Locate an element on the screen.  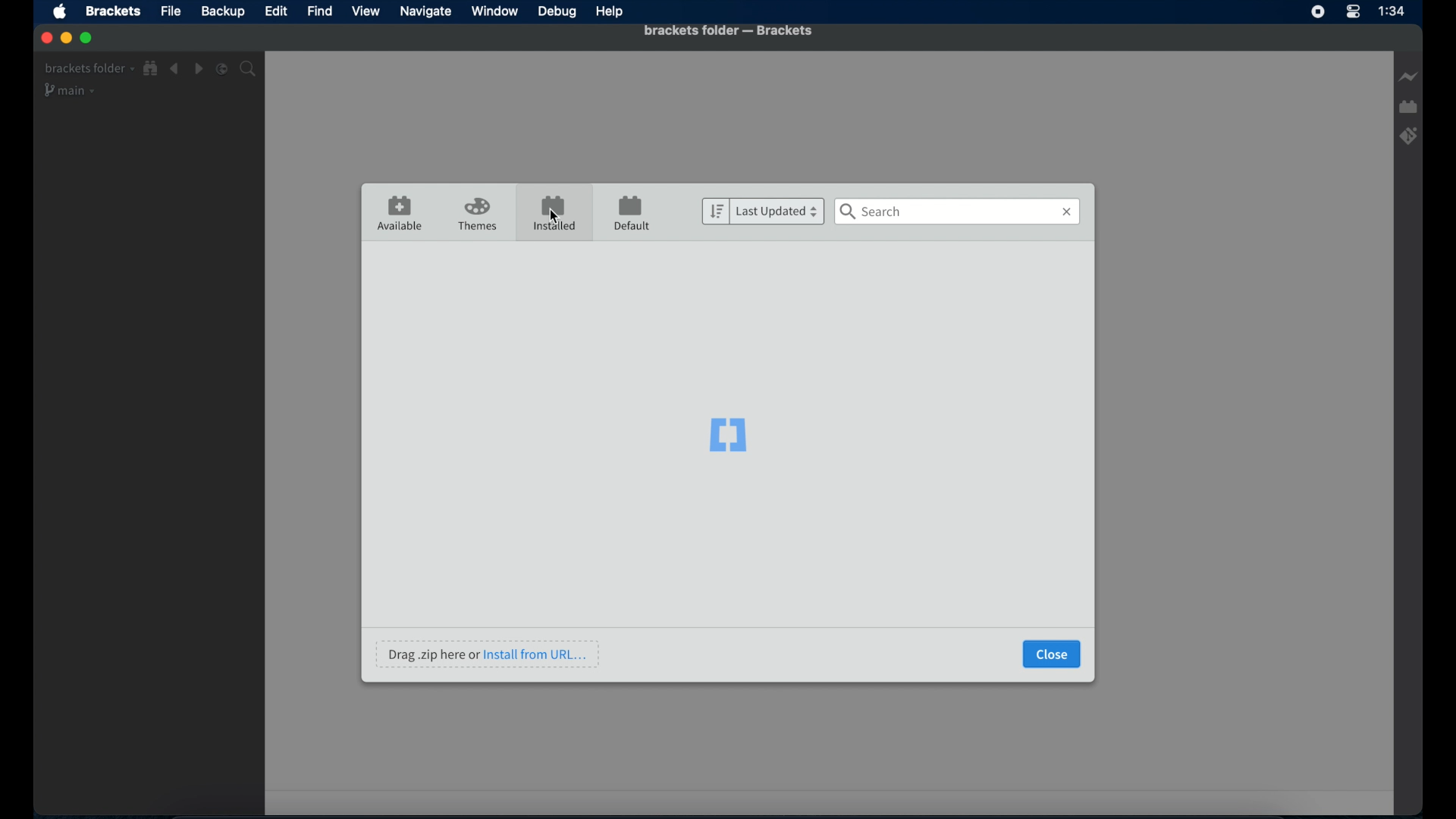
default is located at coordinates (632, 212).